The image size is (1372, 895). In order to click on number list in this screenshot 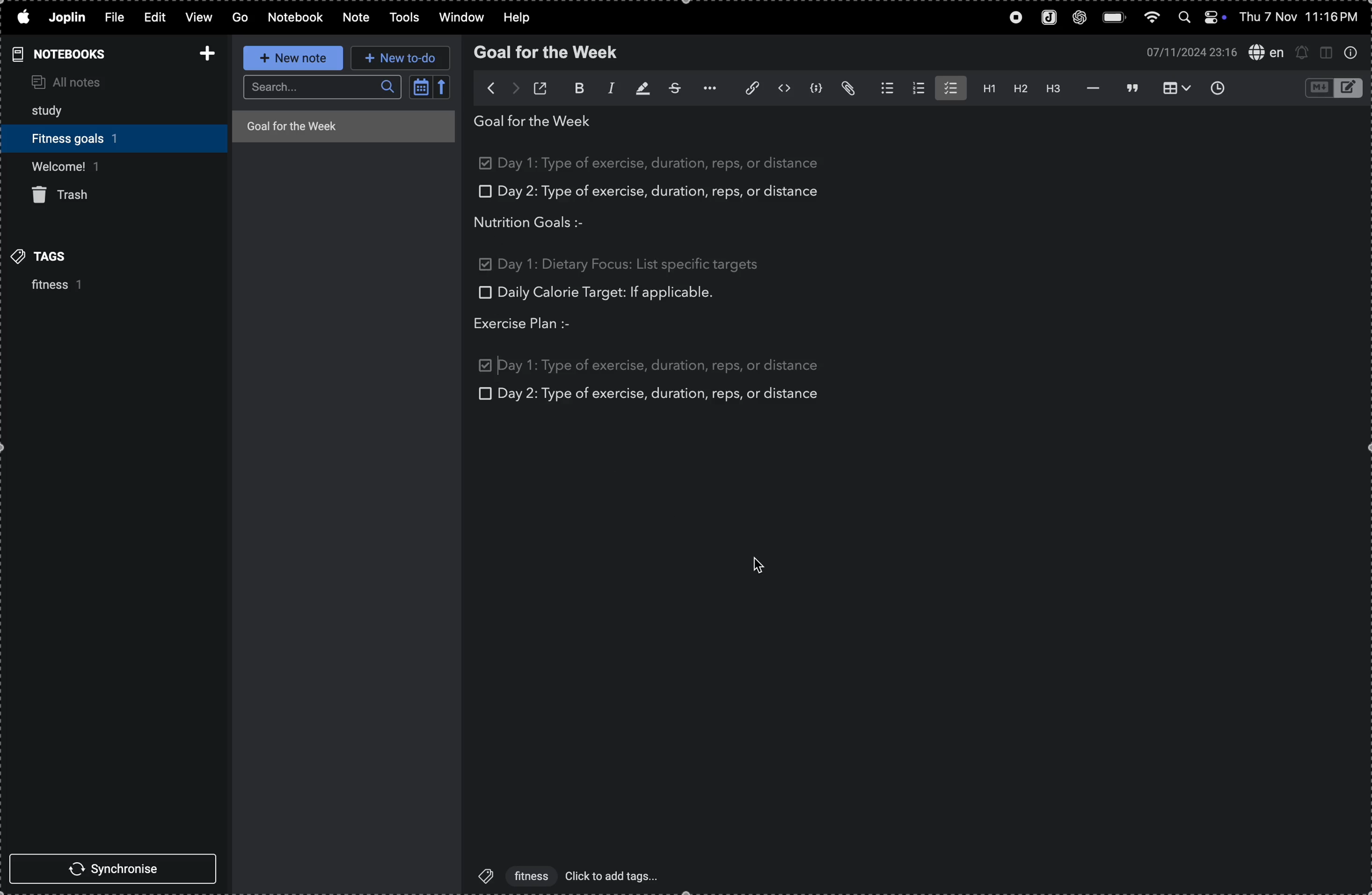, I will do `click(916, 88)`.